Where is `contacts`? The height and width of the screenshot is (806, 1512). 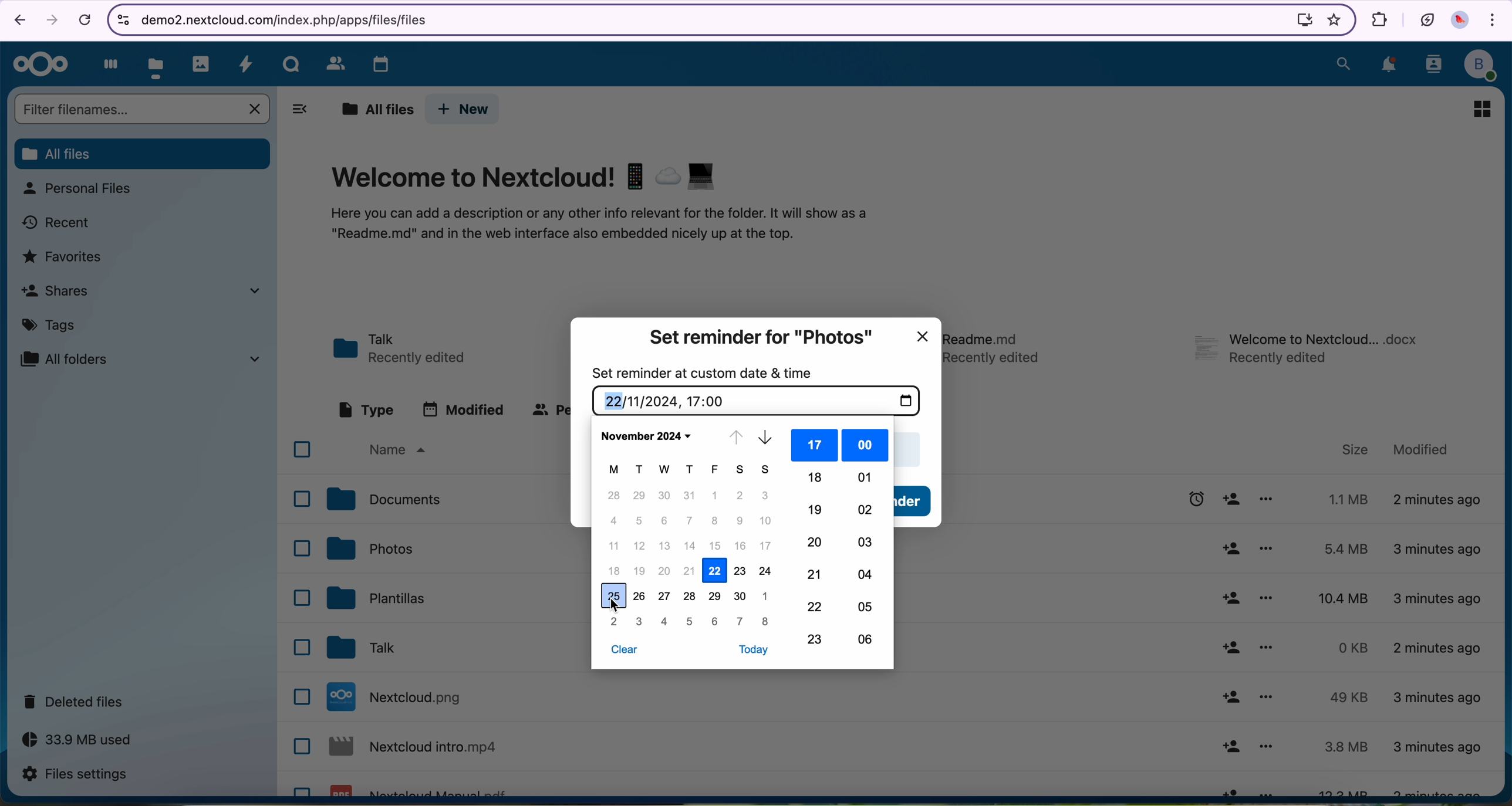
contacts is located at coordinates (1432, 66).